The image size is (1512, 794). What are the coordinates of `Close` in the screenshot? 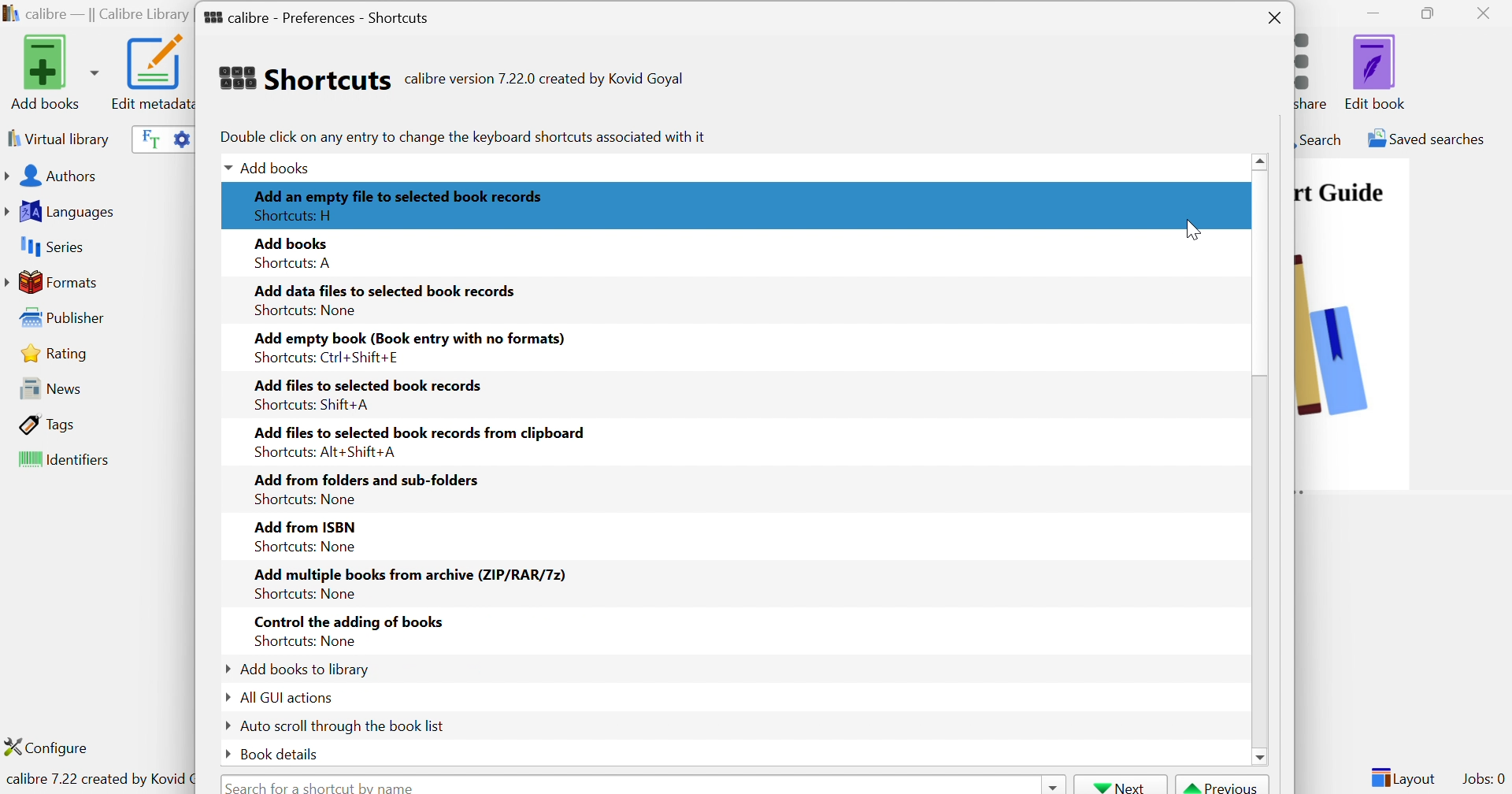 It's located at (1488, 13).